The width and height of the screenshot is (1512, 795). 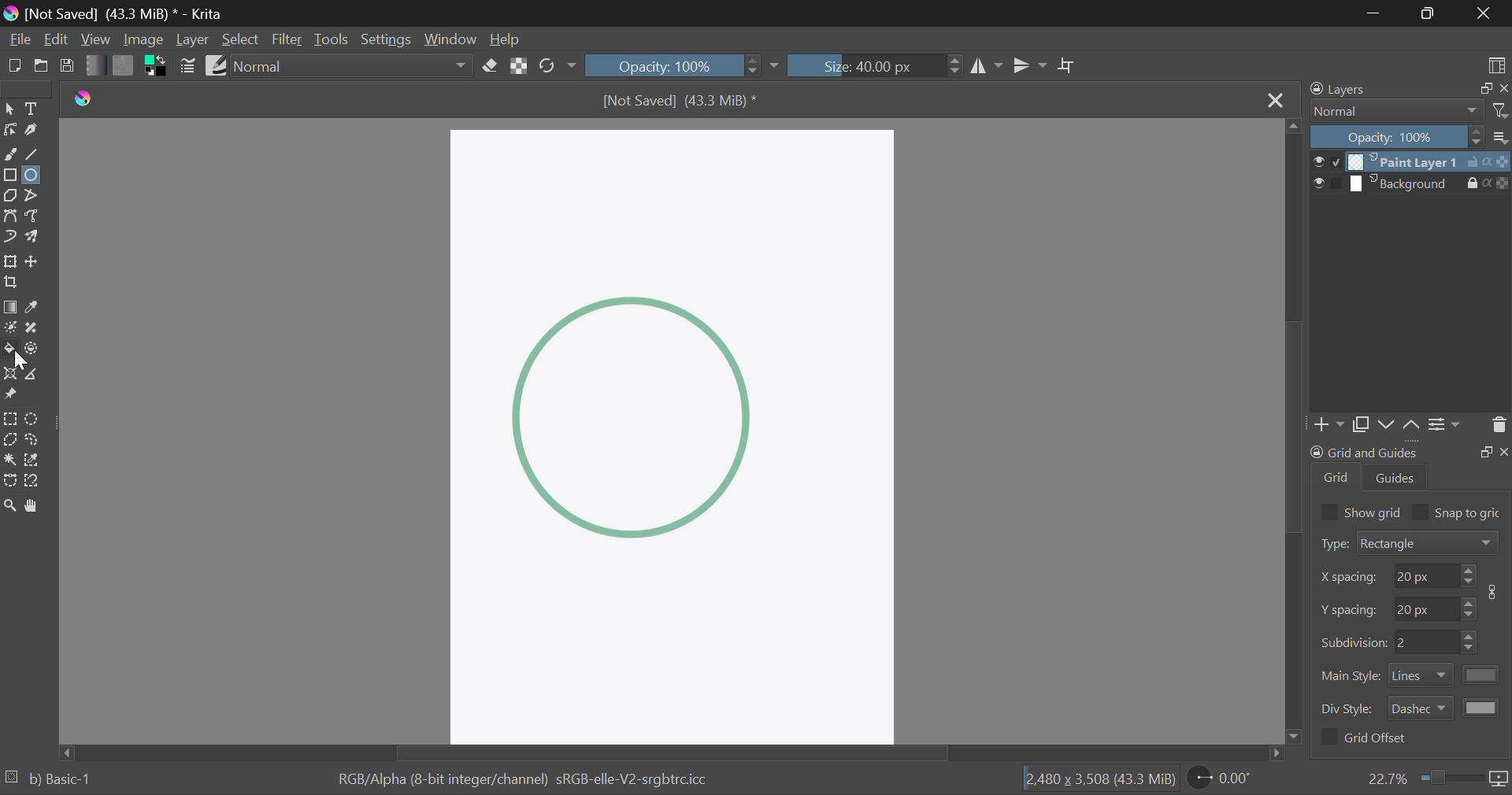 What do you see at coordinates (1274, 100) in the screenshot?
I see `Close` at bounding box center [1274, 100].